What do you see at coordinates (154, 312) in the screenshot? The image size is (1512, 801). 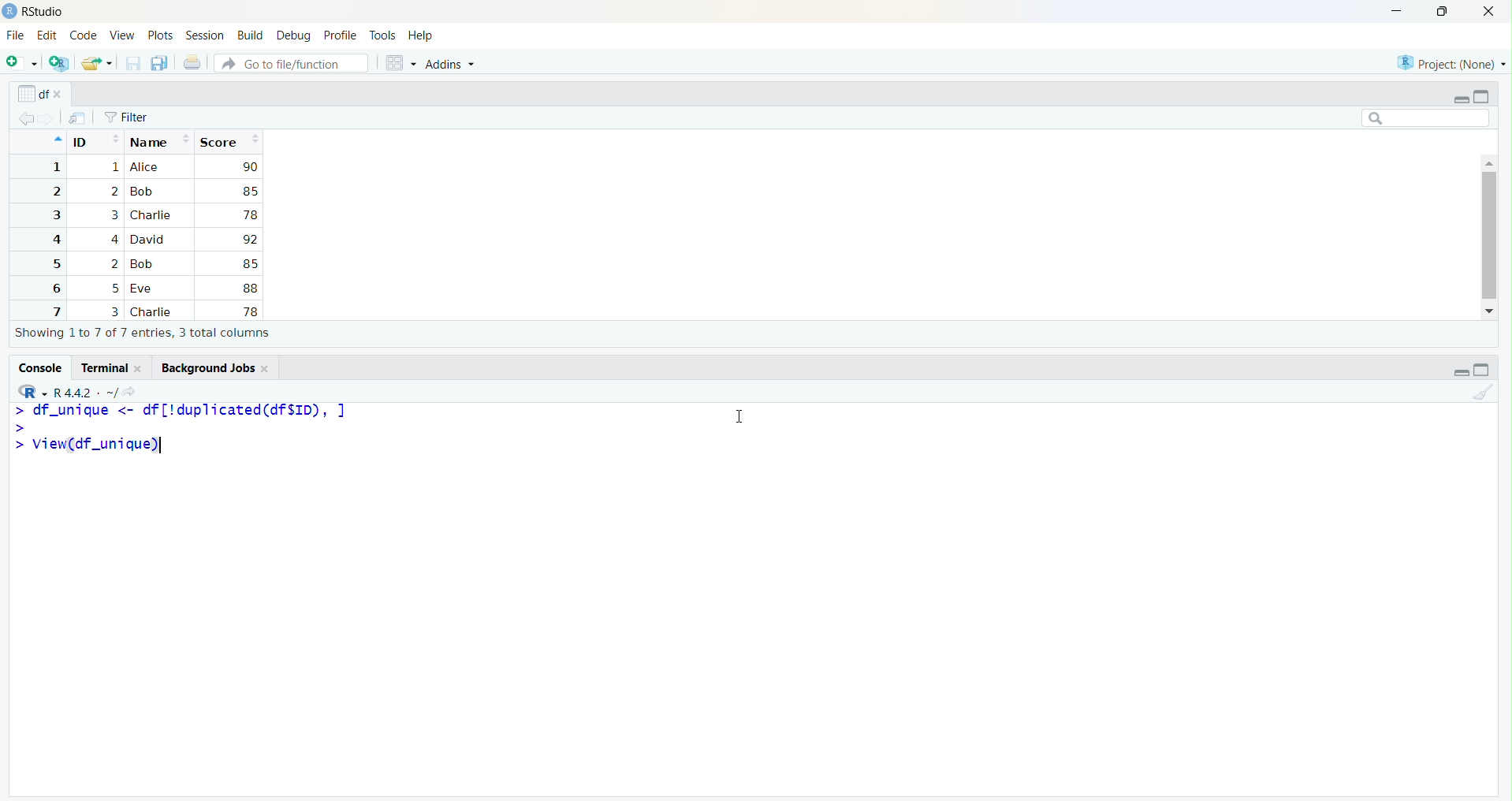 I see `Charlie` at bounding box center [154, 312].